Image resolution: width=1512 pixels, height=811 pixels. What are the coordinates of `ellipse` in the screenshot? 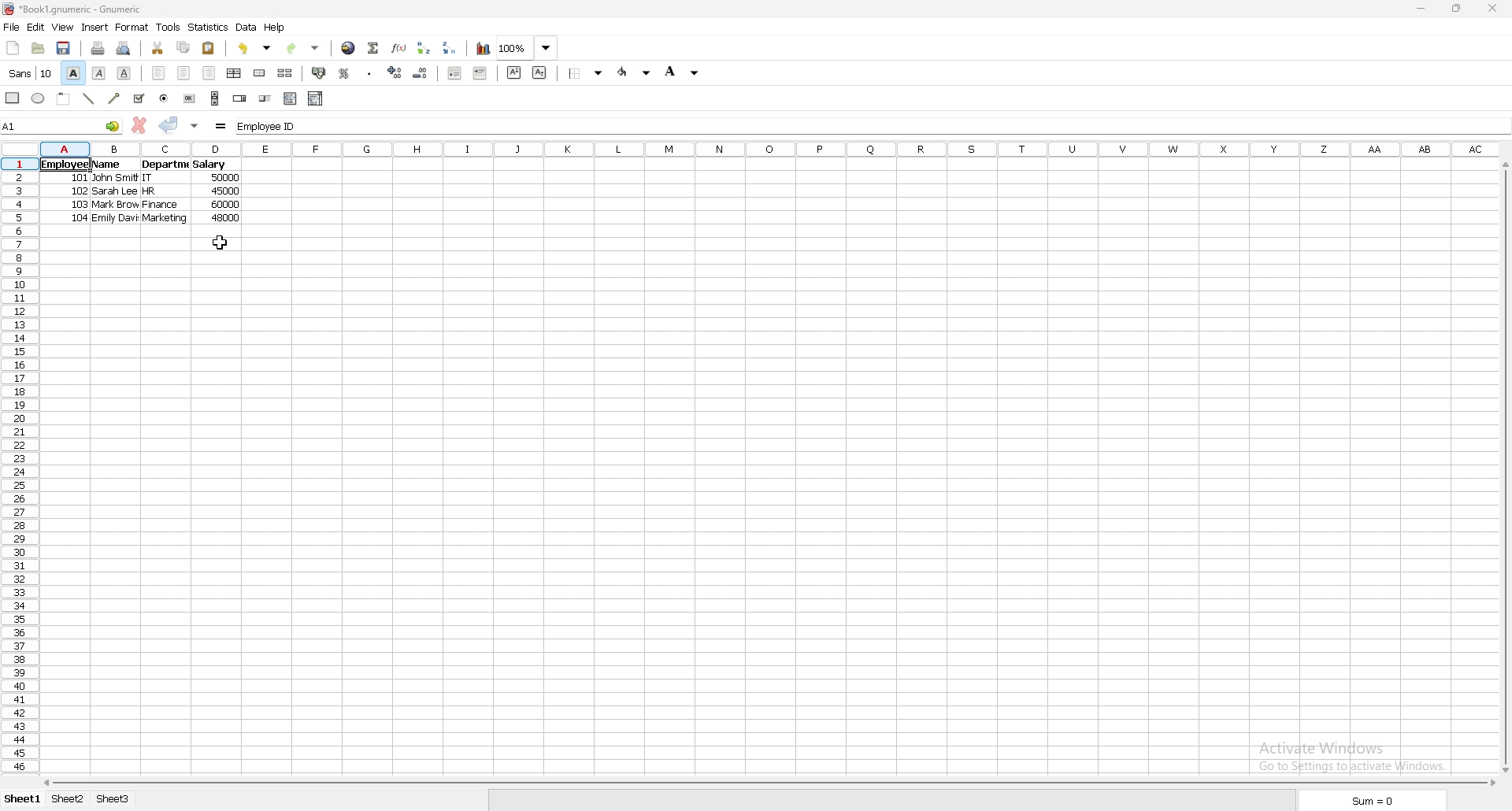 It's located at (37, 98).